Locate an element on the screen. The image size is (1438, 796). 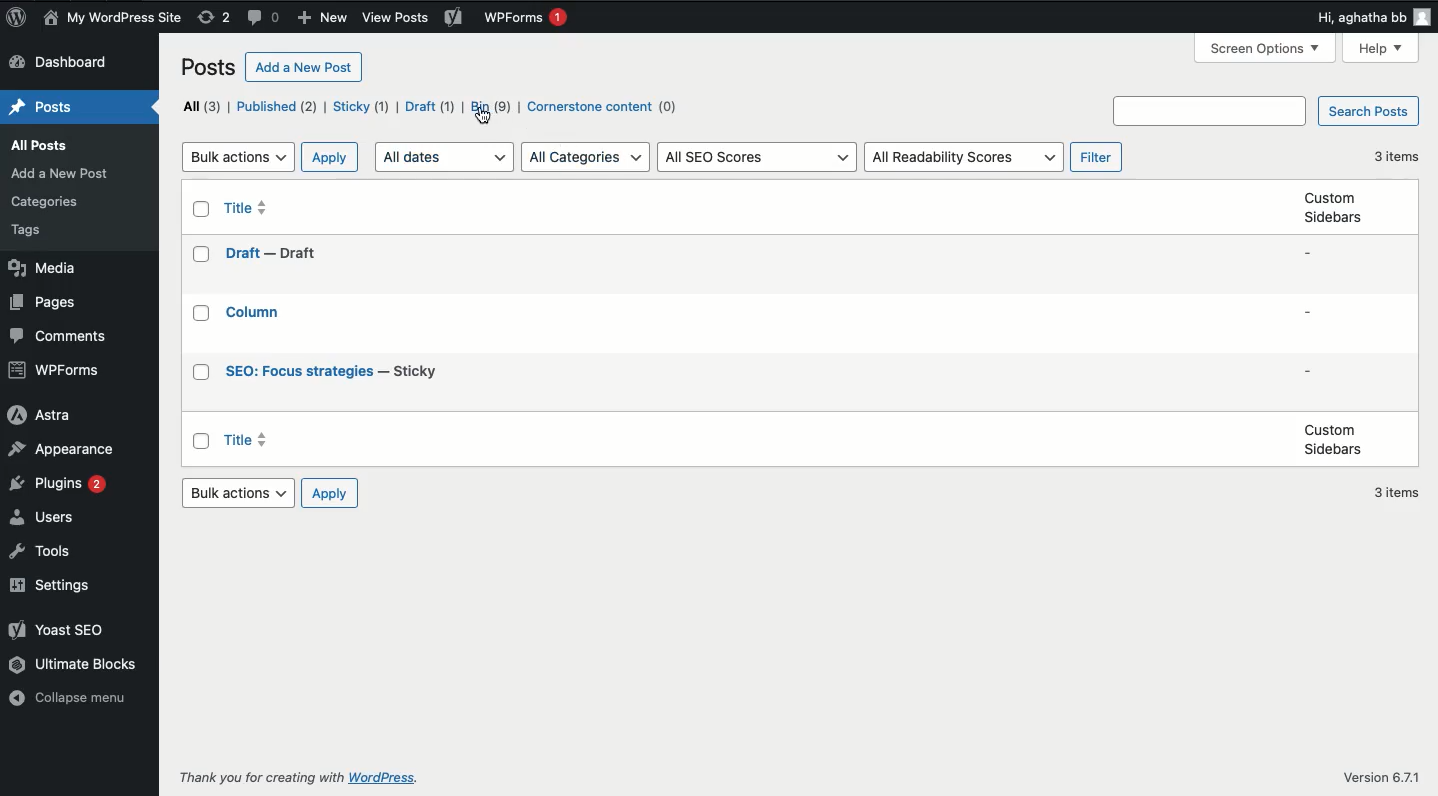
Help is located at coordinates (1380, 50).